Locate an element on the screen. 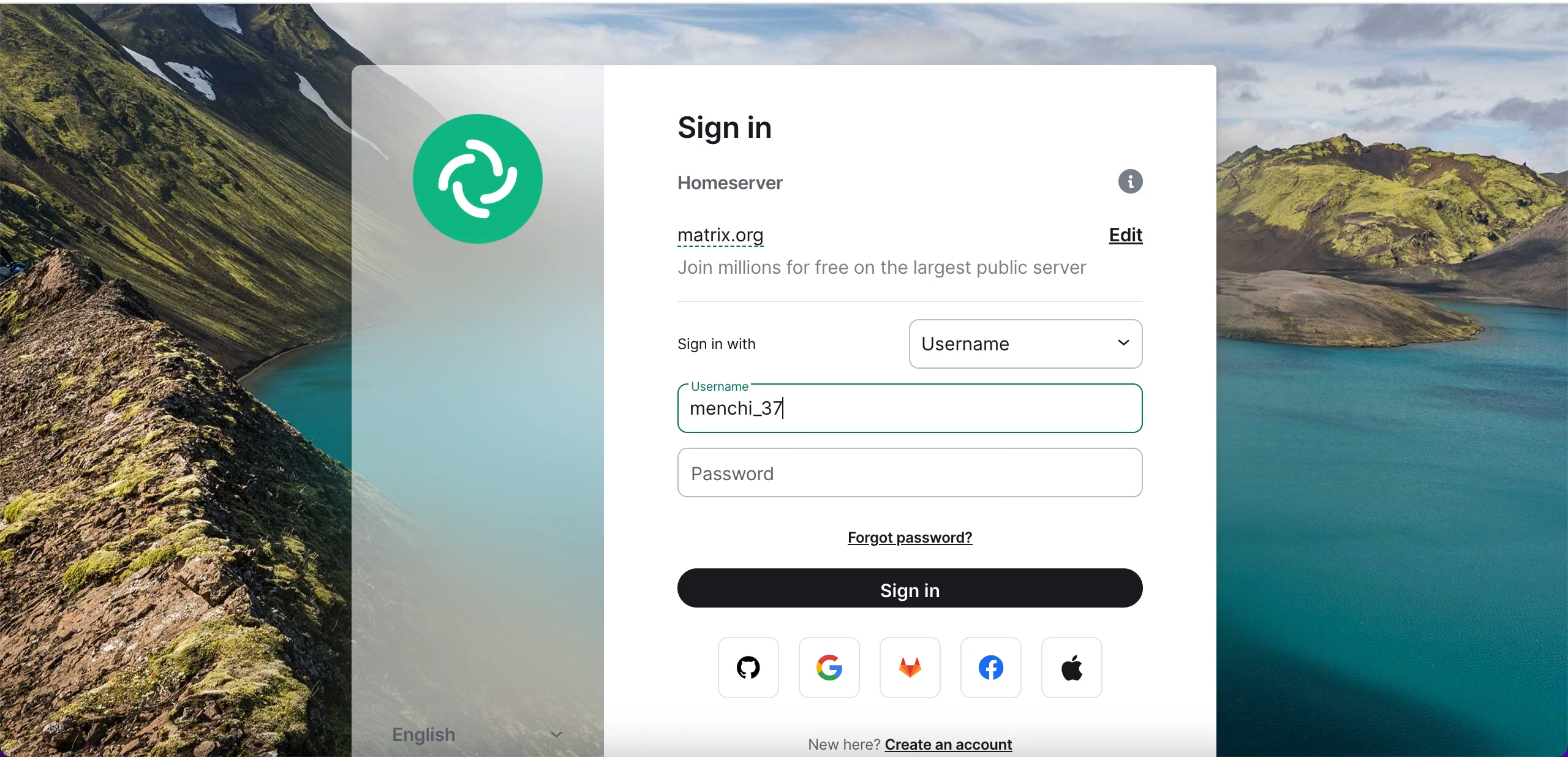 This screenshot has height=757, width=1568. sign in is located at coordinates (758, 127).